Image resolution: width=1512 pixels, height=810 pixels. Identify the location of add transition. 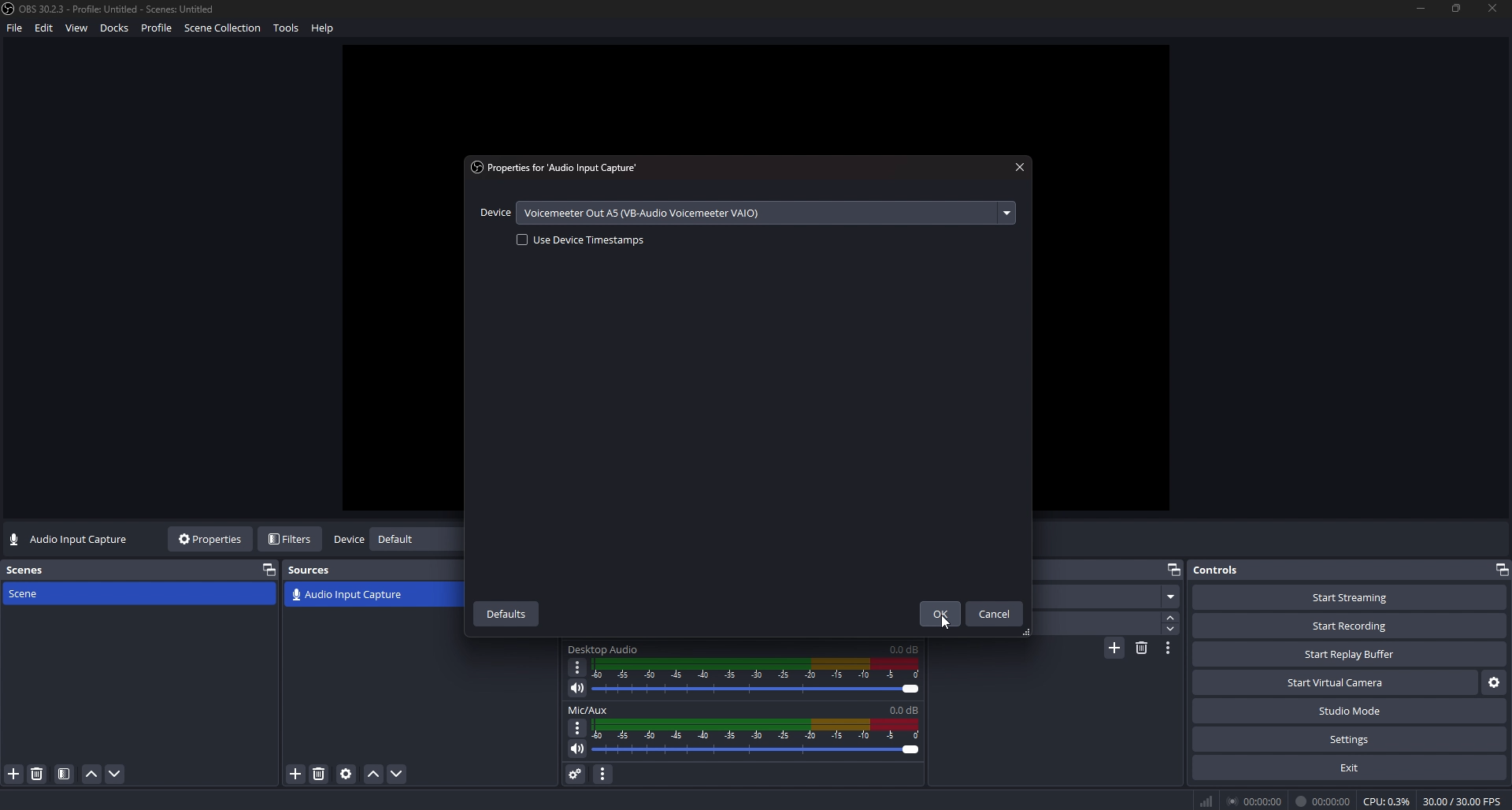
(1114, 650).